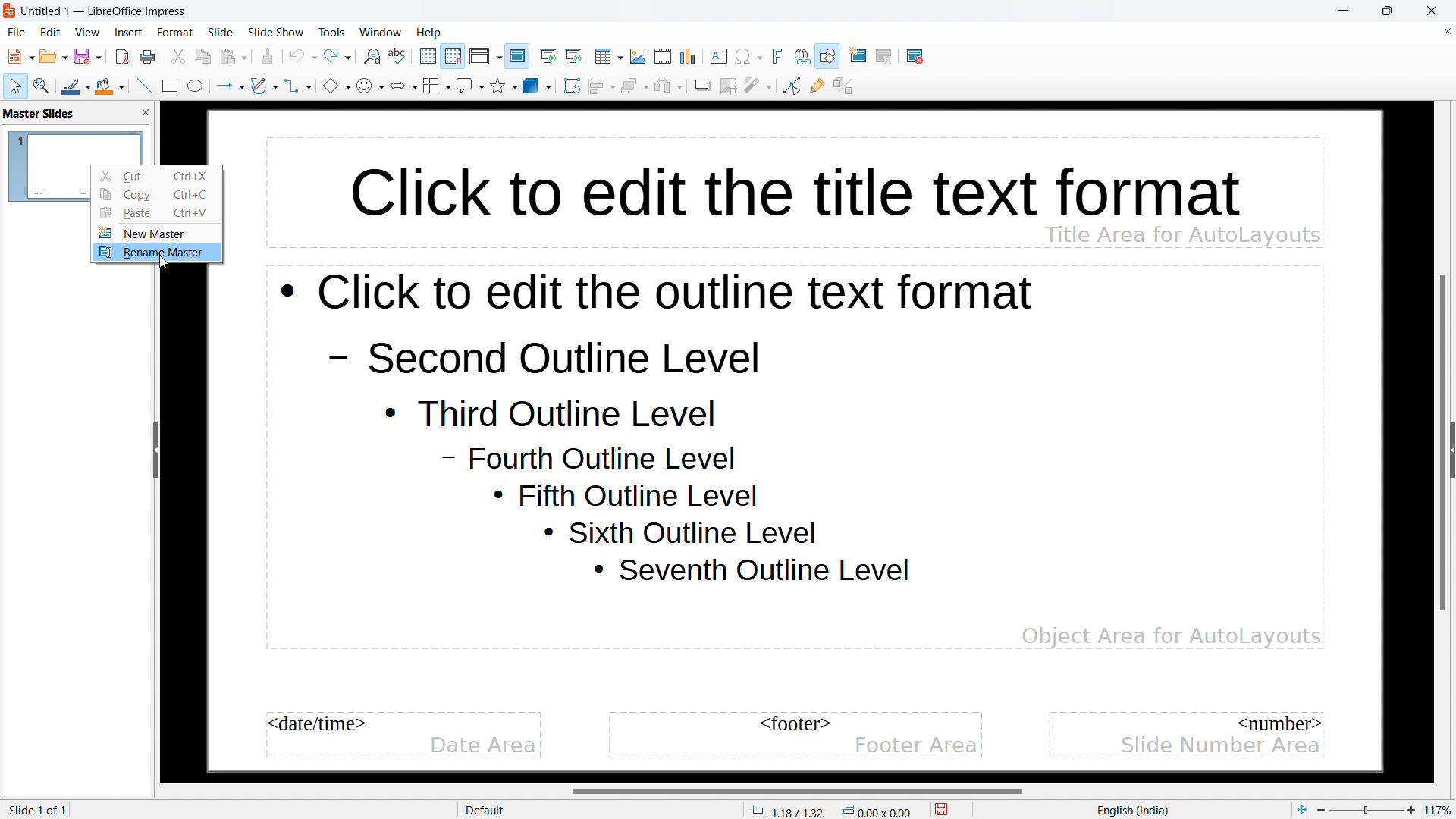  Describe the element at coordinates (543, 412) in the screenshot. I see `Third outline level` at that location.